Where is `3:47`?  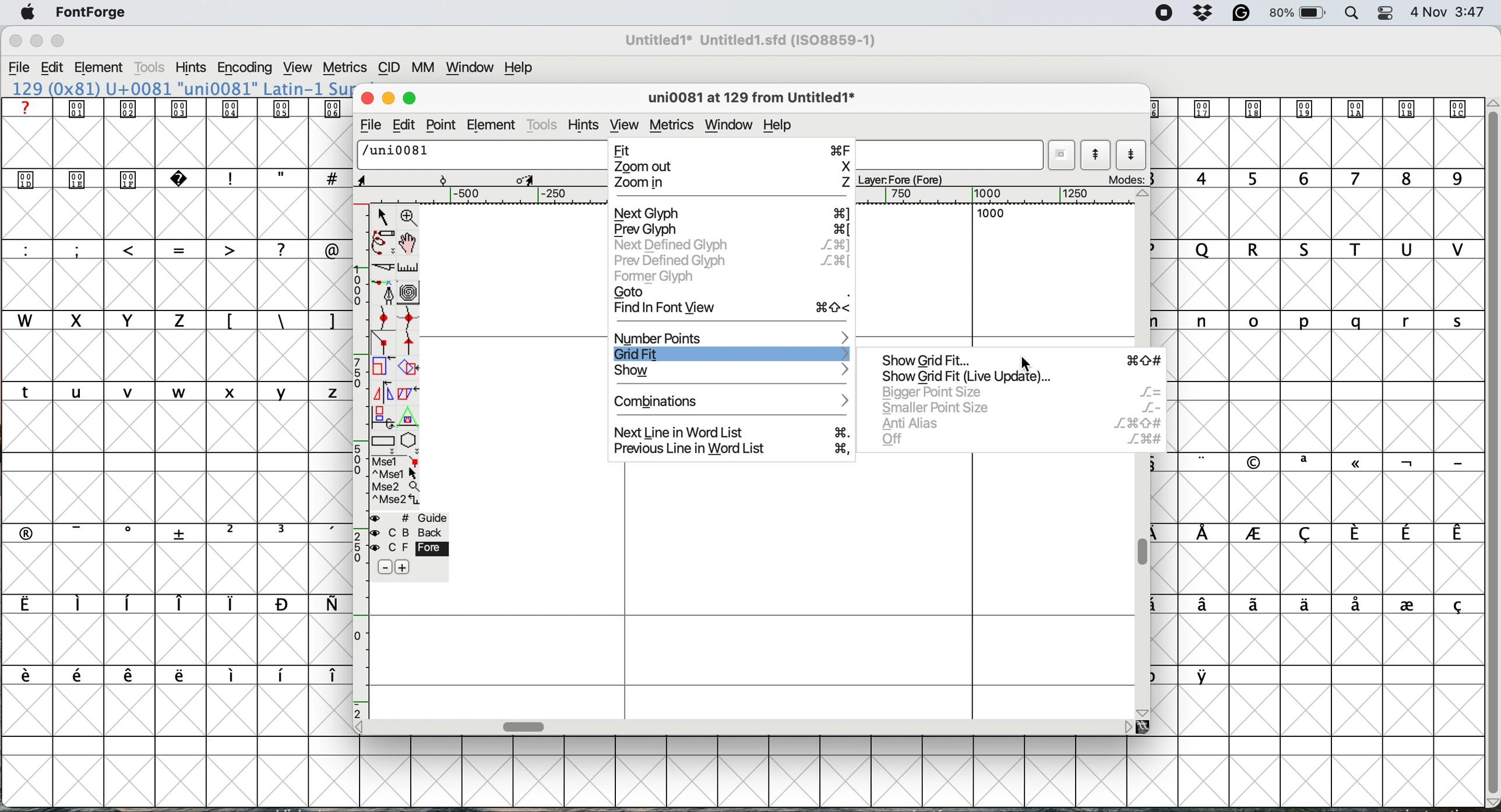 3:47 is located at coordinates (1469, 13).